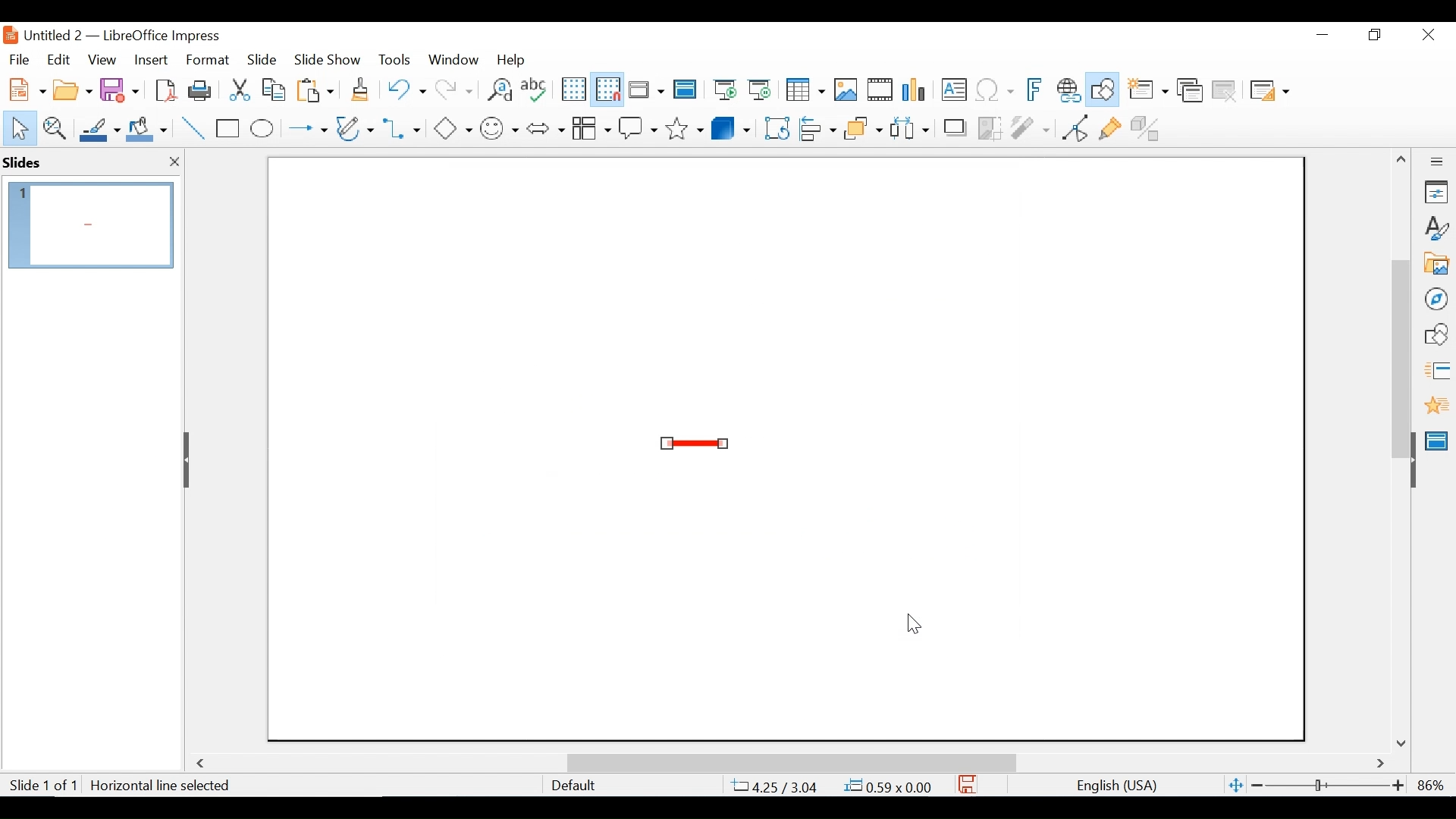 The width and height of the screenshot is (1456, 819). What do you see at coordinates (17, 127) in the screenshot?
I see `Select` at bounding box center [17, 127].